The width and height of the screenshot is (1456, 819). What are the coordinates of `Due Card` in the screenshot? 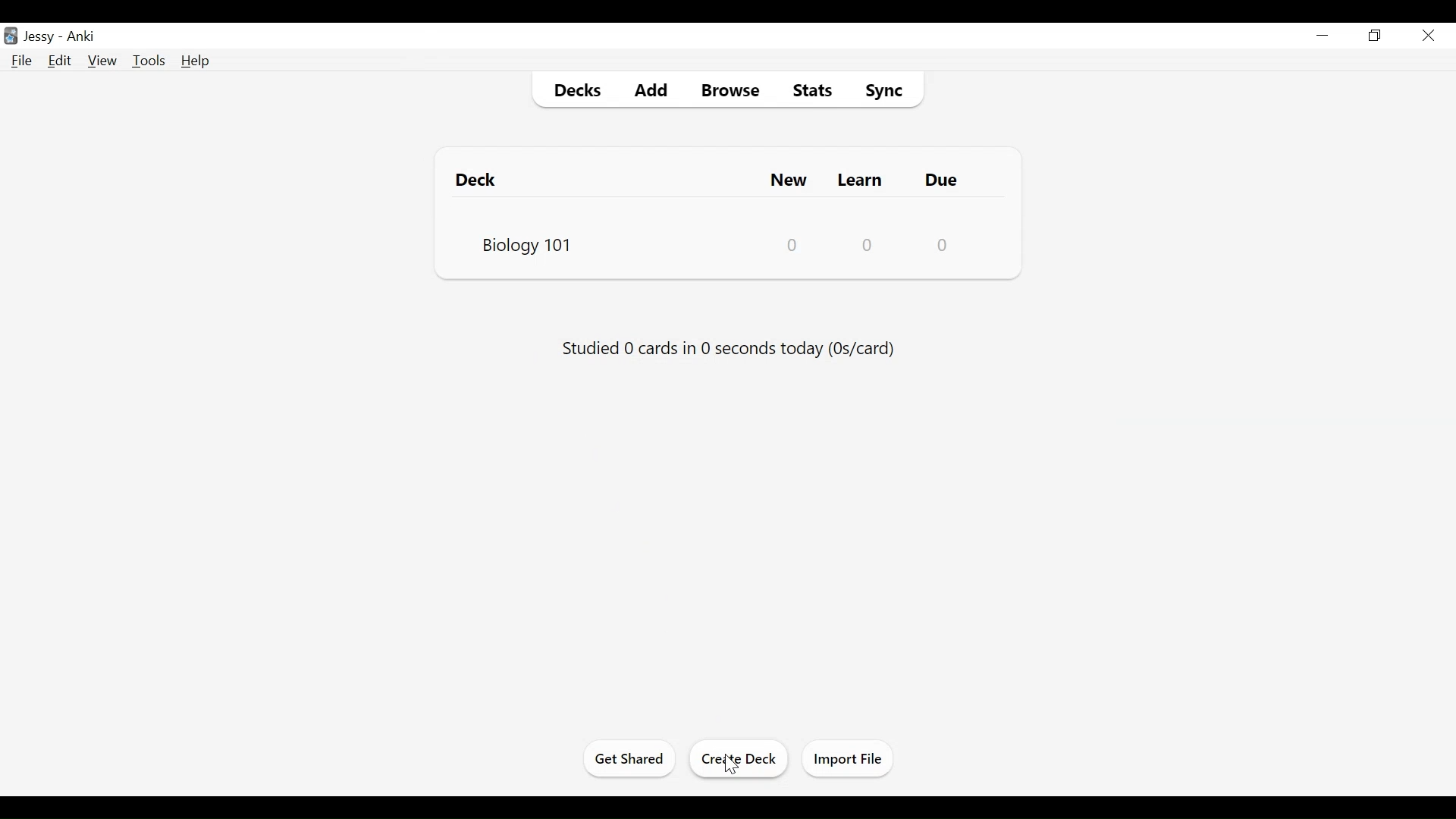 It's located at (944, 180).